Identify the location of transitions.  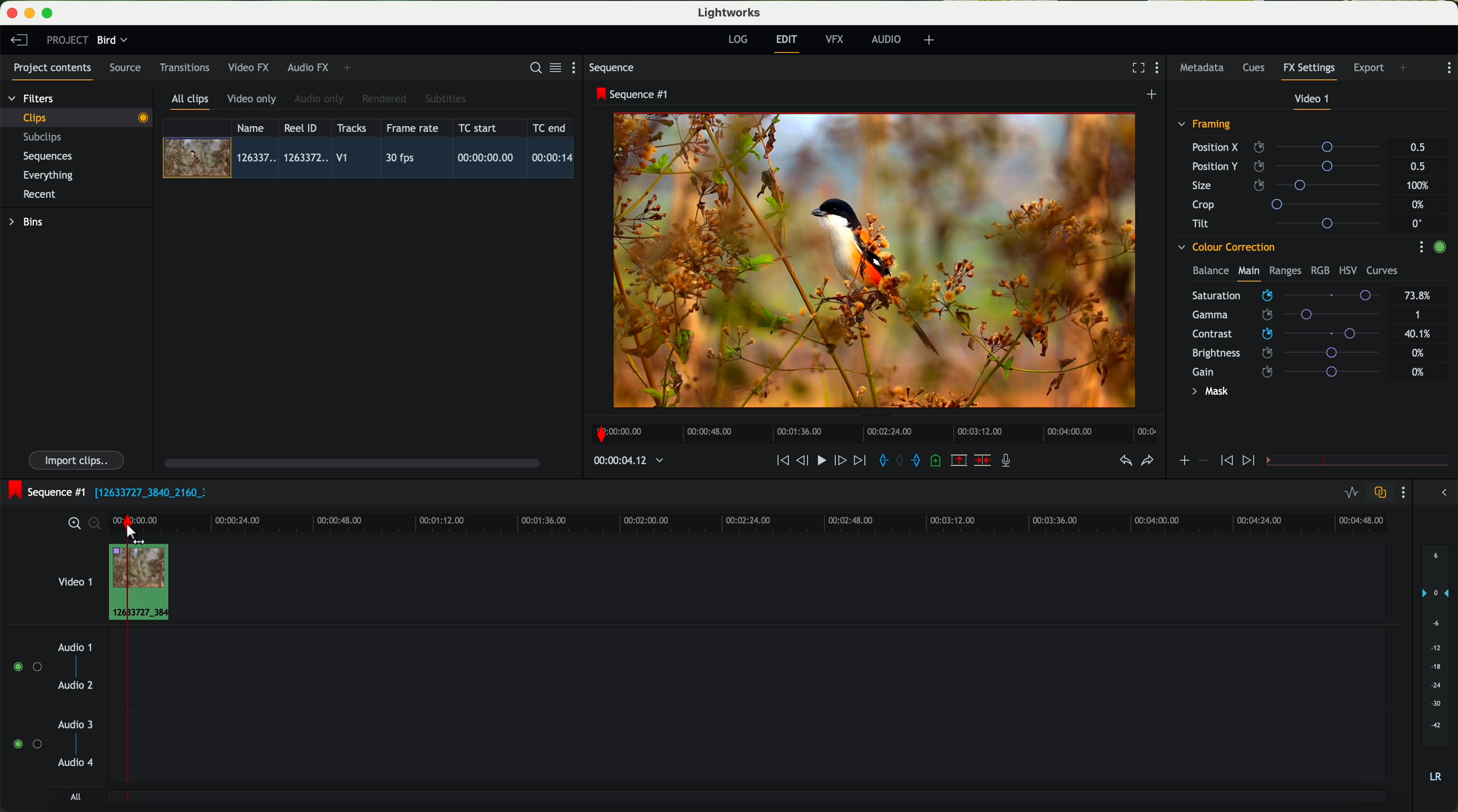
(184, 67).